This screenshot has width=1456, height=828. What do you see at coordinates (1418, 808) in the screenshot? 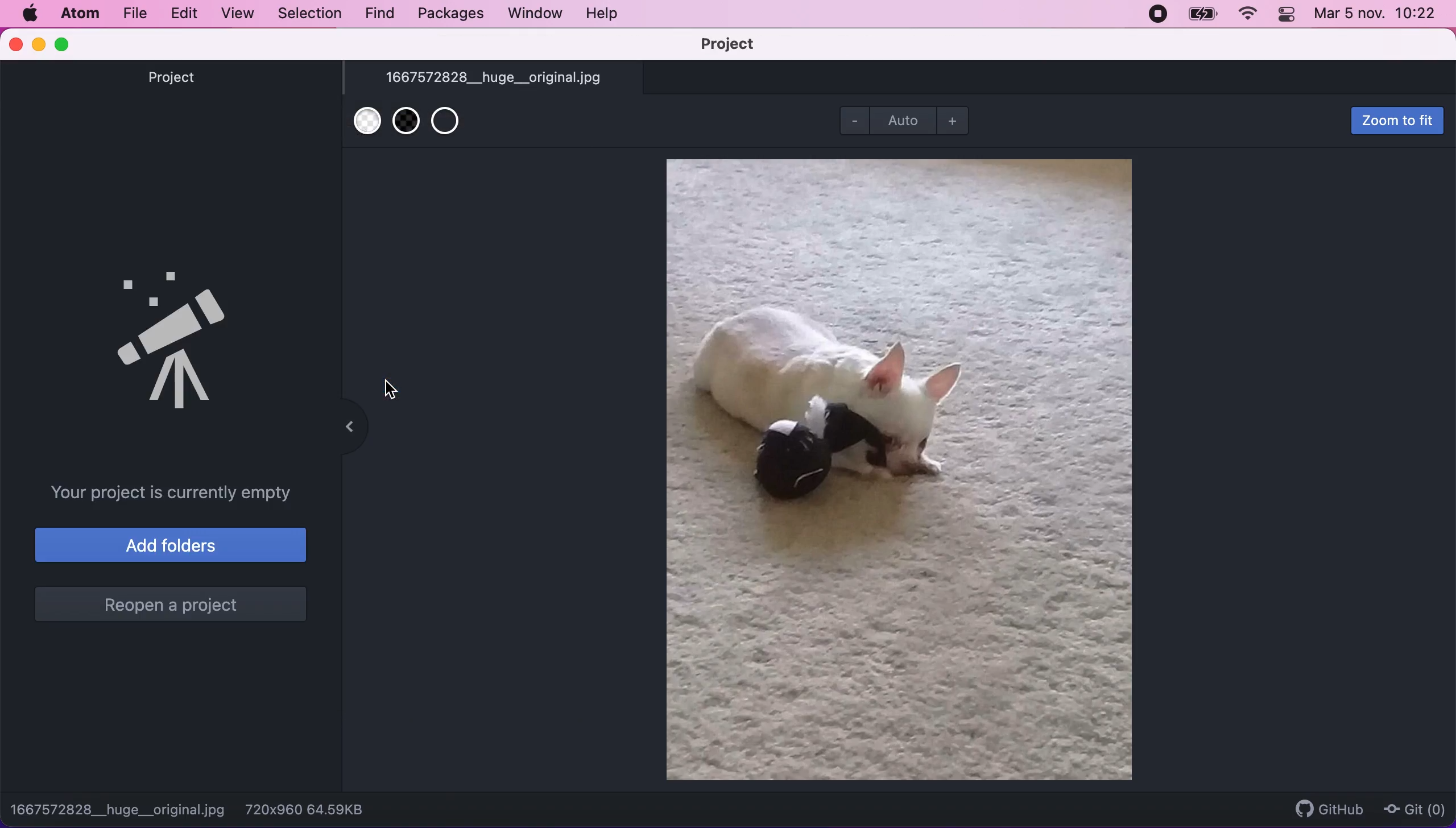
I see `git` at bounding box center [1418, 808].